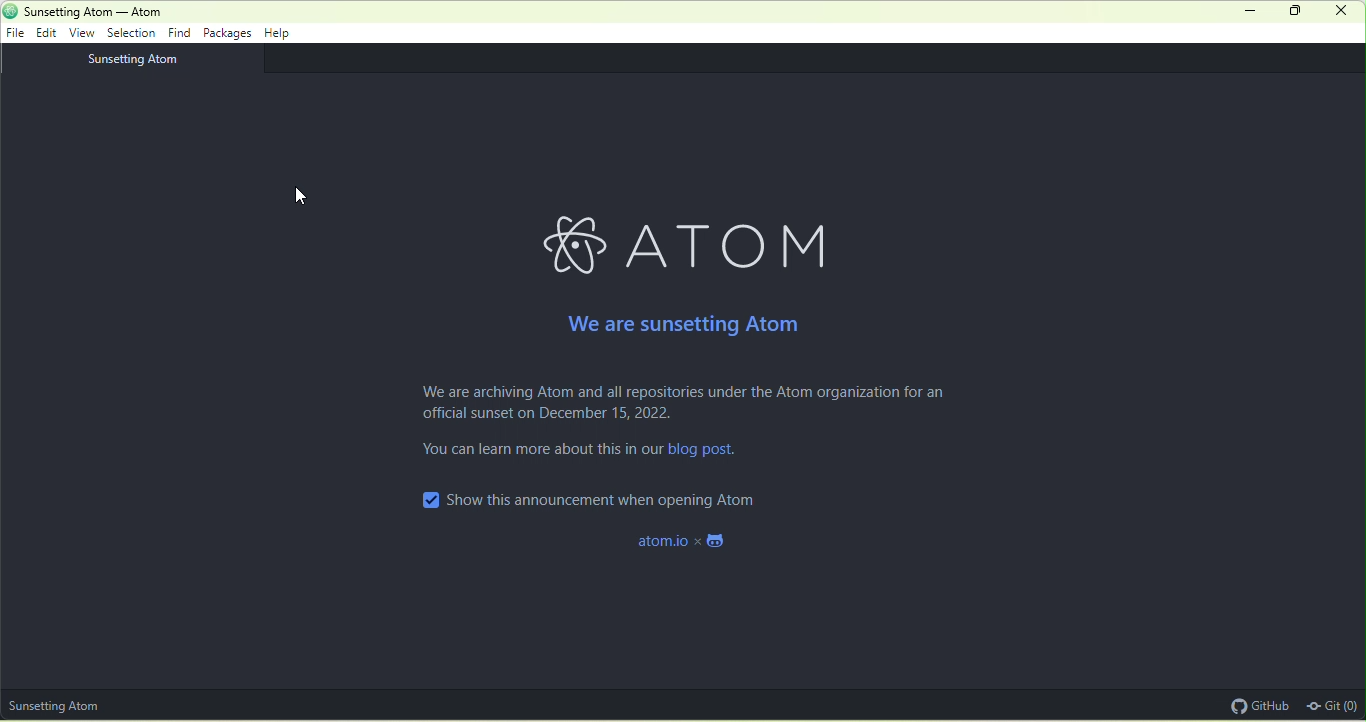  What do you see at coordinates (280, 36) in the screenshot?
I see `help` at bounding box center [280, 36].